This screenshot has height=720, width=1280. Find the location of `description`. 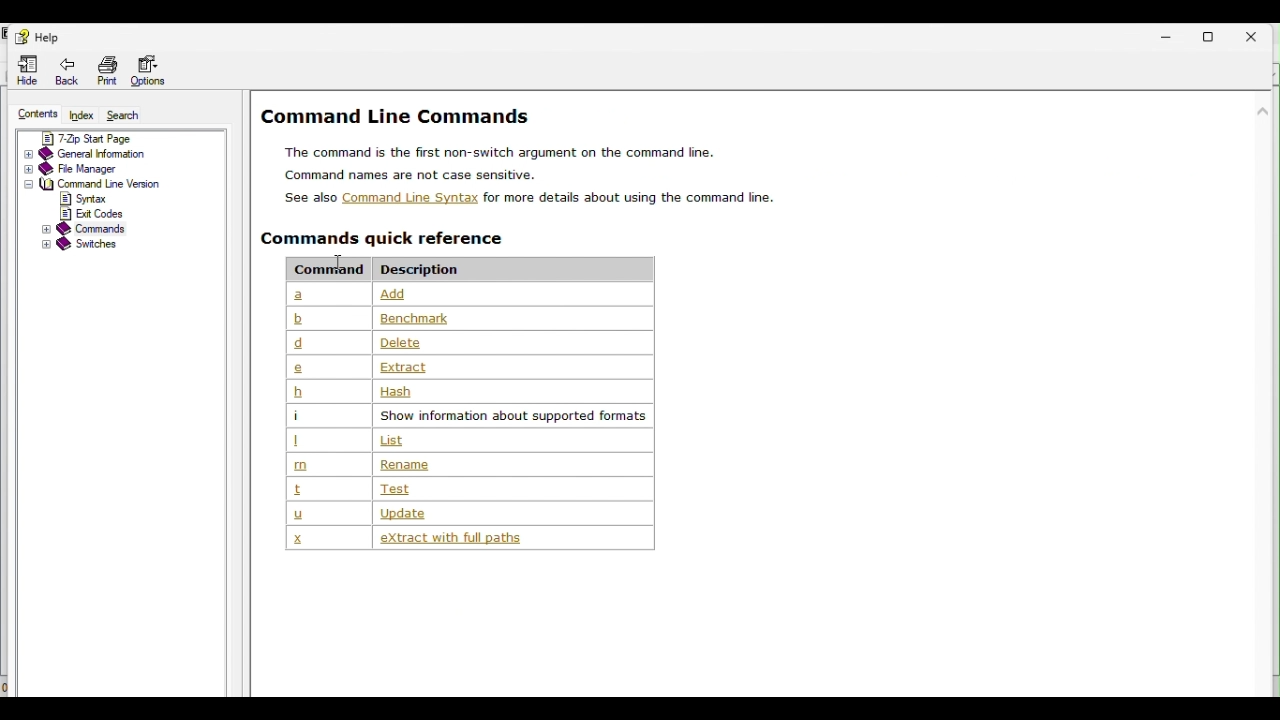

description is located at coordinates (406, 489).